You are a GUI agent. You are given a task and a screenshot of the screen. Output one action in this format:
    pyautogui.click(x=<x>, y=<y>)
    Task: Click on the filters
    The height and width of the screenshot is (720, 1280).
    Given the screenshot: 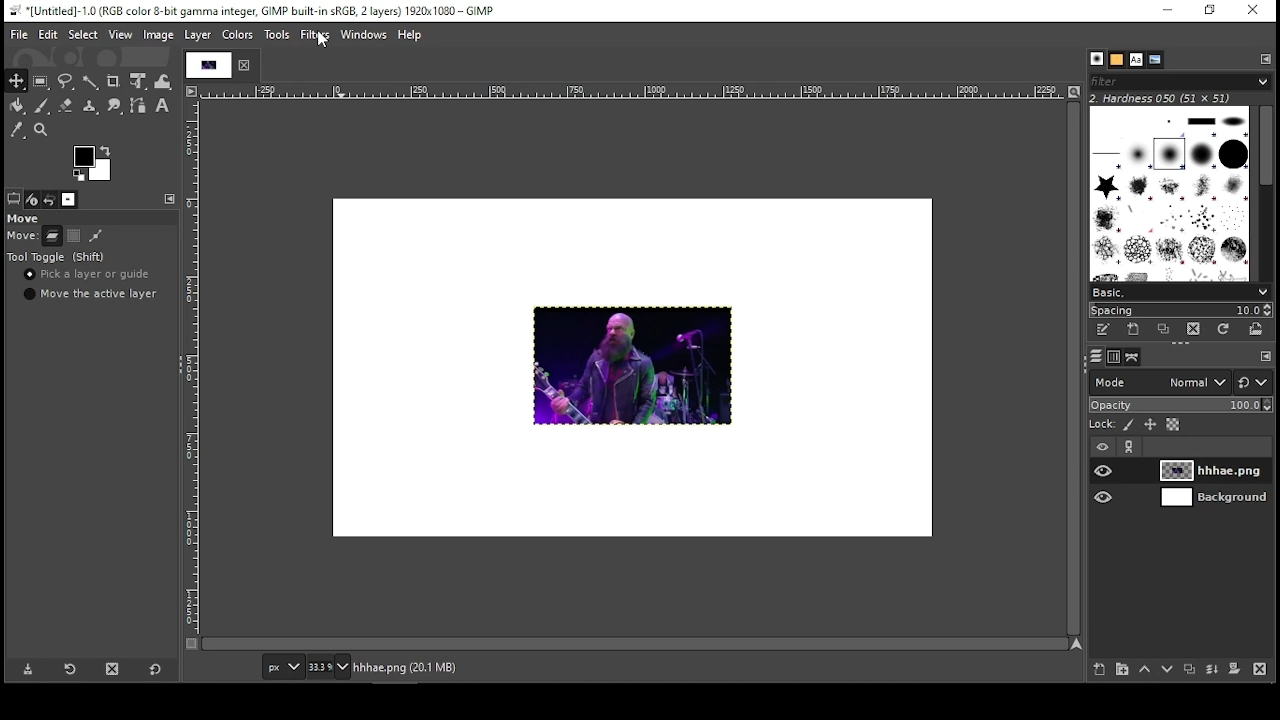 What is the action you would take?
    pyautogui.click(x=314, y=36)
    